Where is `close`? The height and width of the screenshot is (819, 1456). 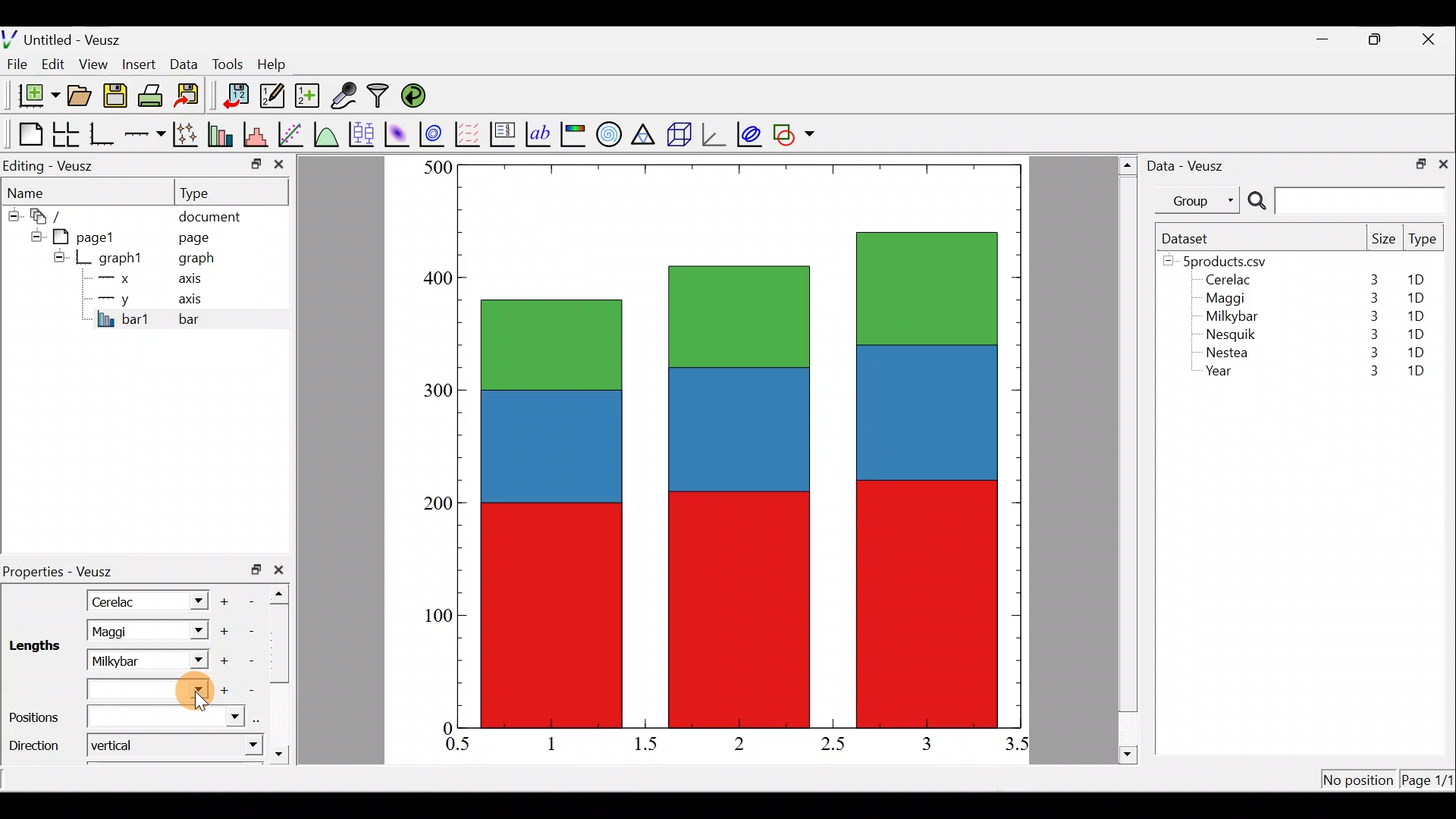 close is located at coordinates (1443, 163).